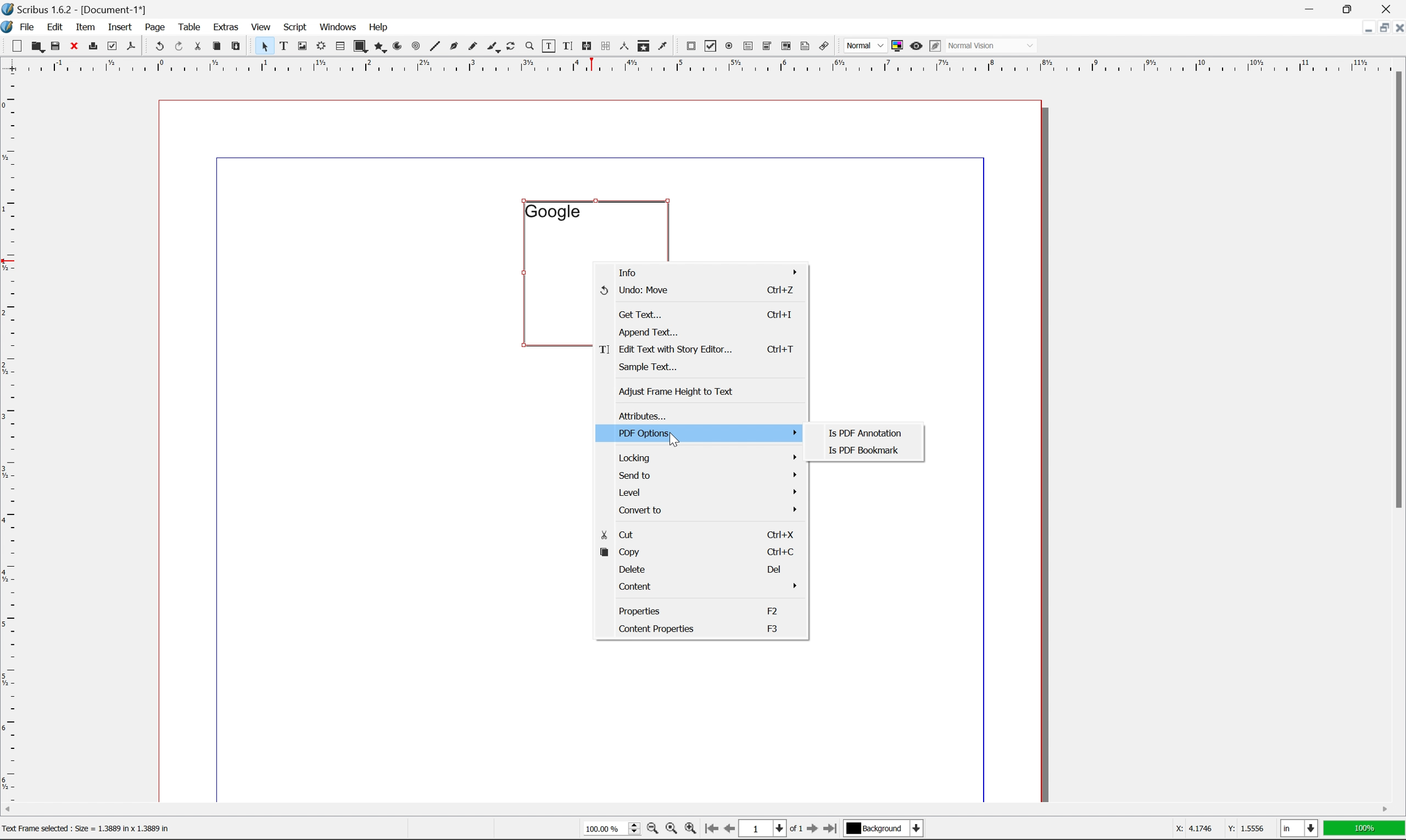 Image resolution: width=1406 pixels, height=840 pixels. What do you see at coordinates (565, 45) in the screenshot?
I see `edit text with story editor` at bounding box center [565, 45].